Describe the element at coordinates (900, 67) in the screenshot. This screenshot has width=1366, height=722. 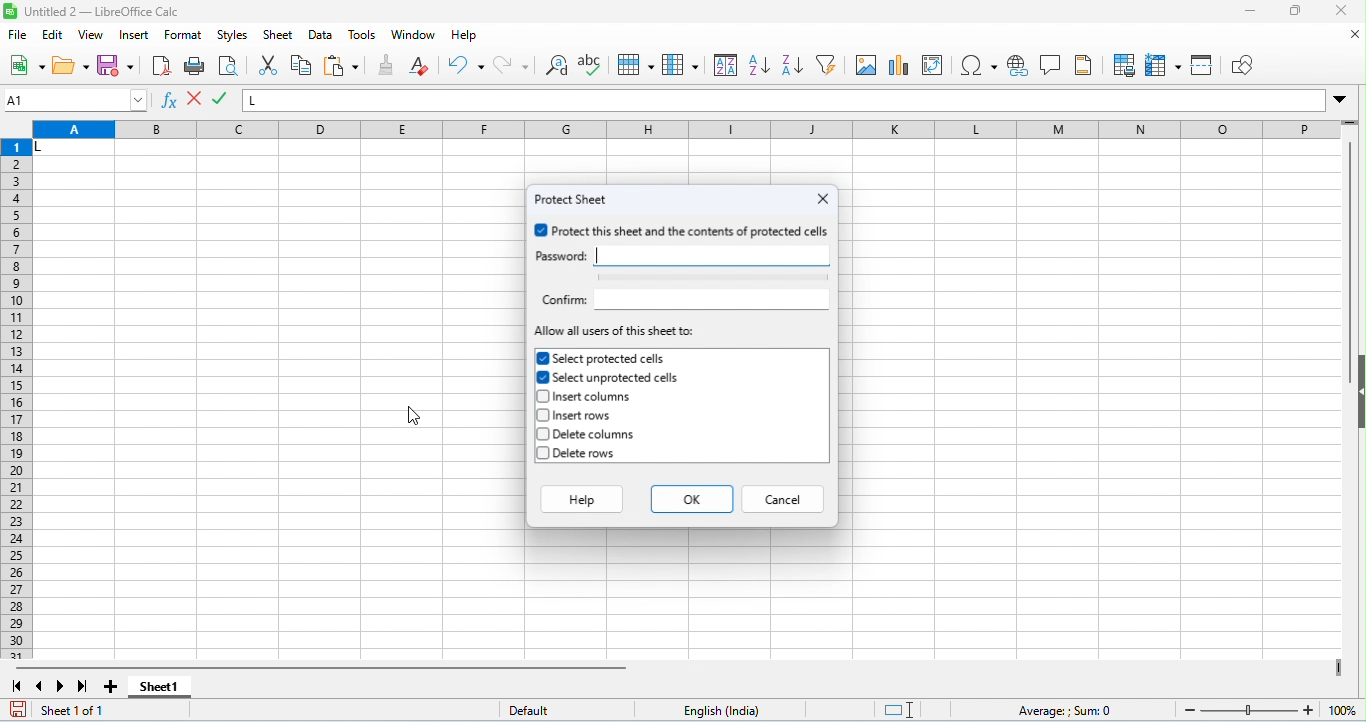
I see `insert chart` at that location.